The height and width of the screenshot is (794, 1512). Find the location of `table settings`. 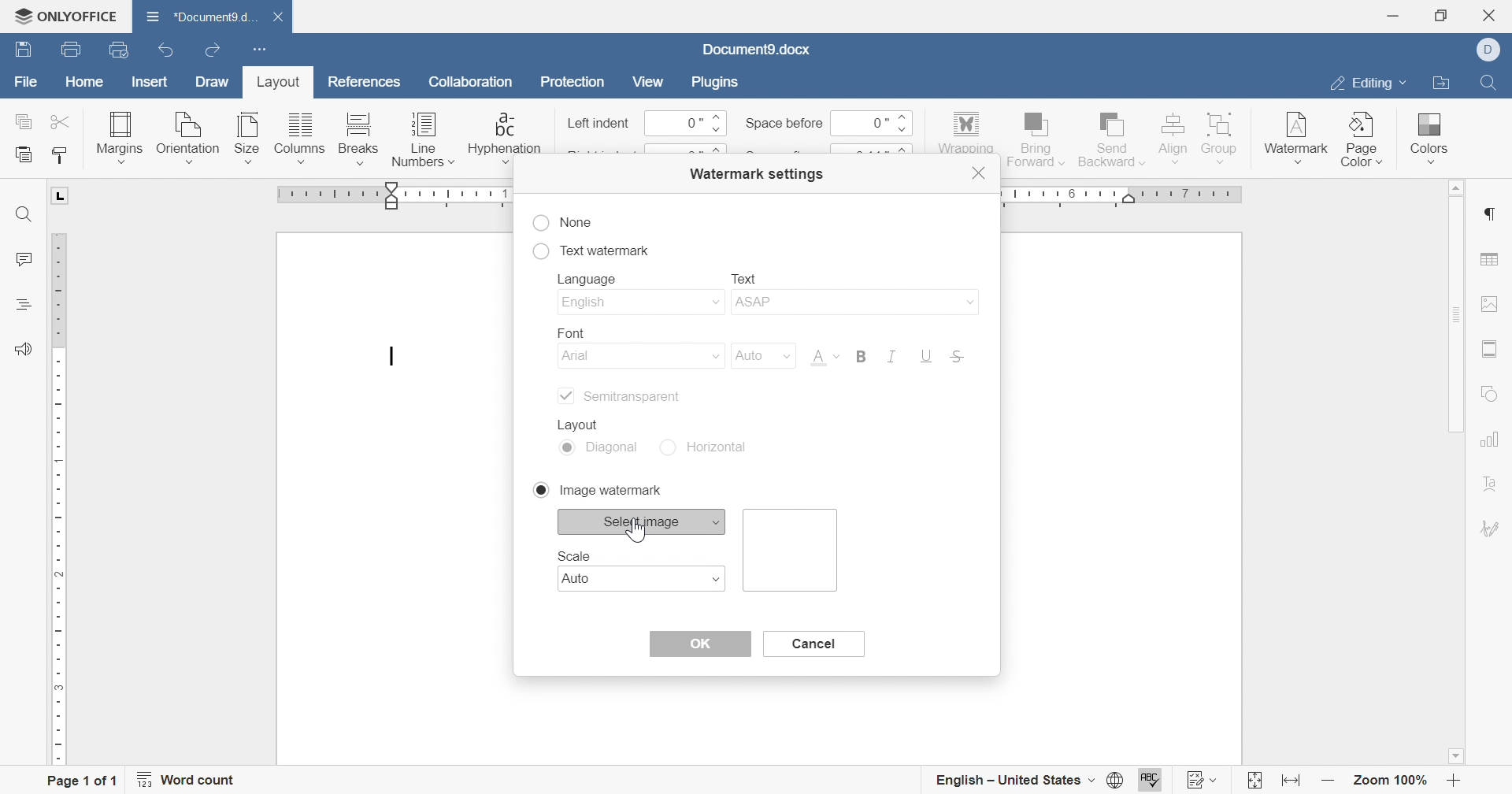

table settings is located at coordinates (1489, 261).